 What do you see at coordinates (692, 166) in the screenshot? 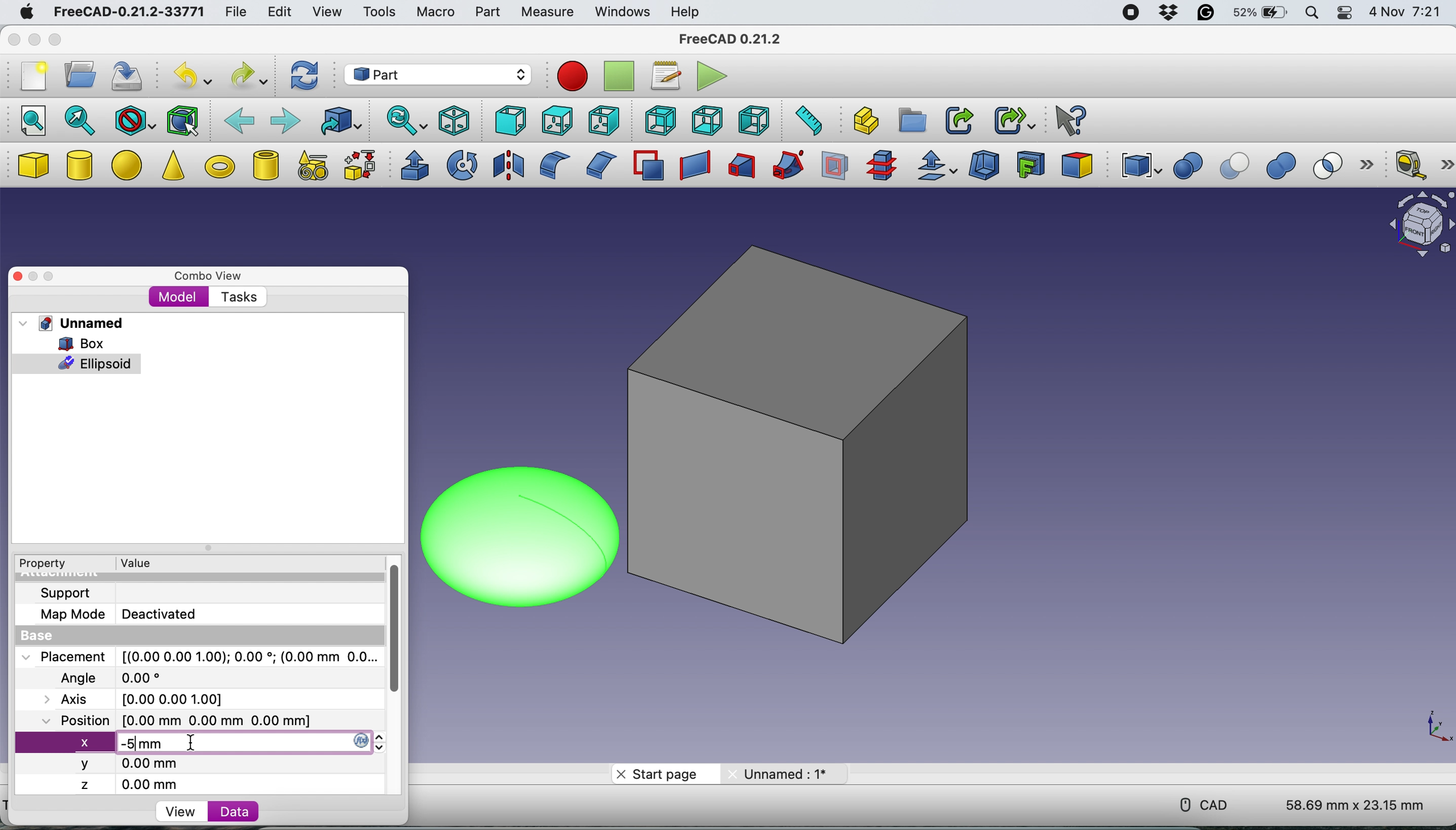
I see `create ruled surface` at bounding box center [692, 166].